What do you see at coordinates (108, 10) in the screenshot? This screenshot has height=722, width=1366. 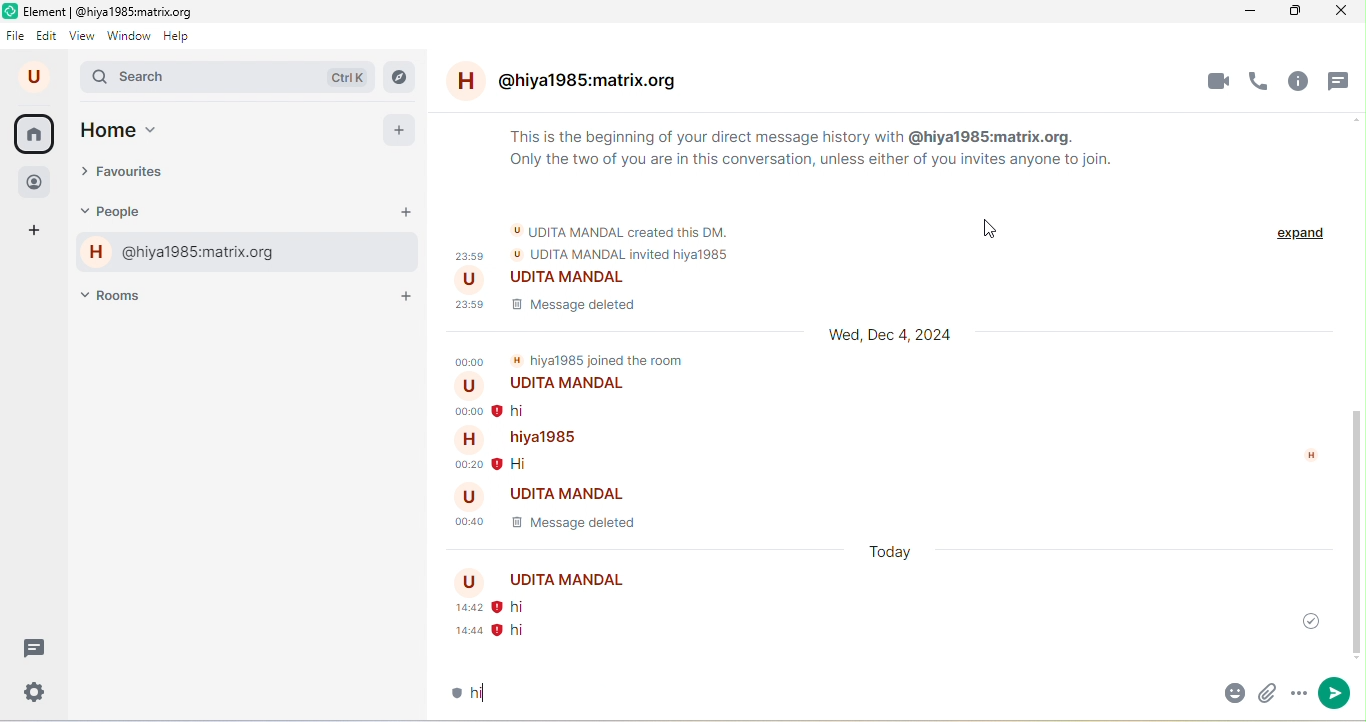 I see `title` at bounding box center [108, 10].